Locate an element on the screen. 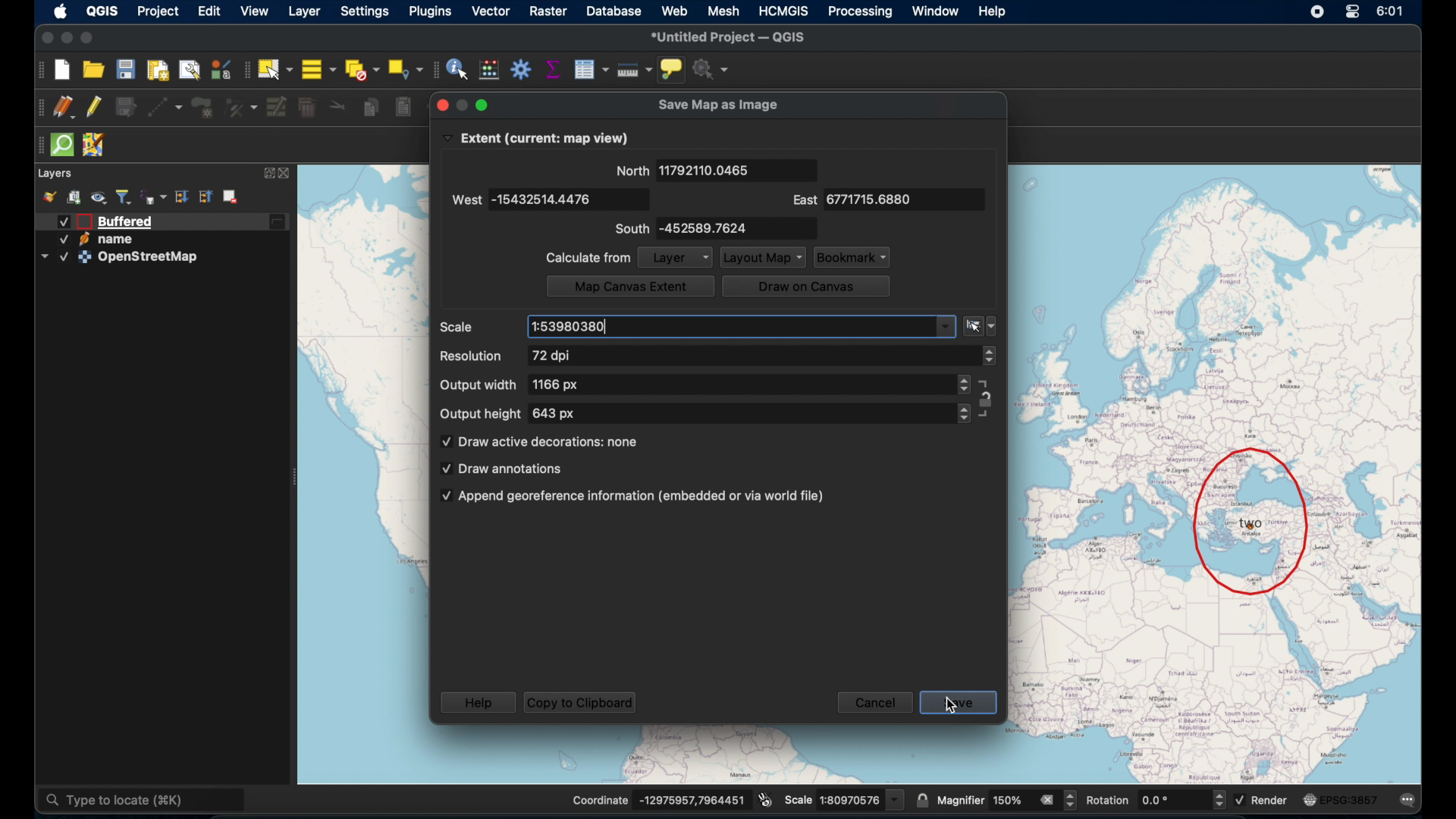 This screenshot has height=819, width=1456. quicksom is located at coordinates (62, 146).